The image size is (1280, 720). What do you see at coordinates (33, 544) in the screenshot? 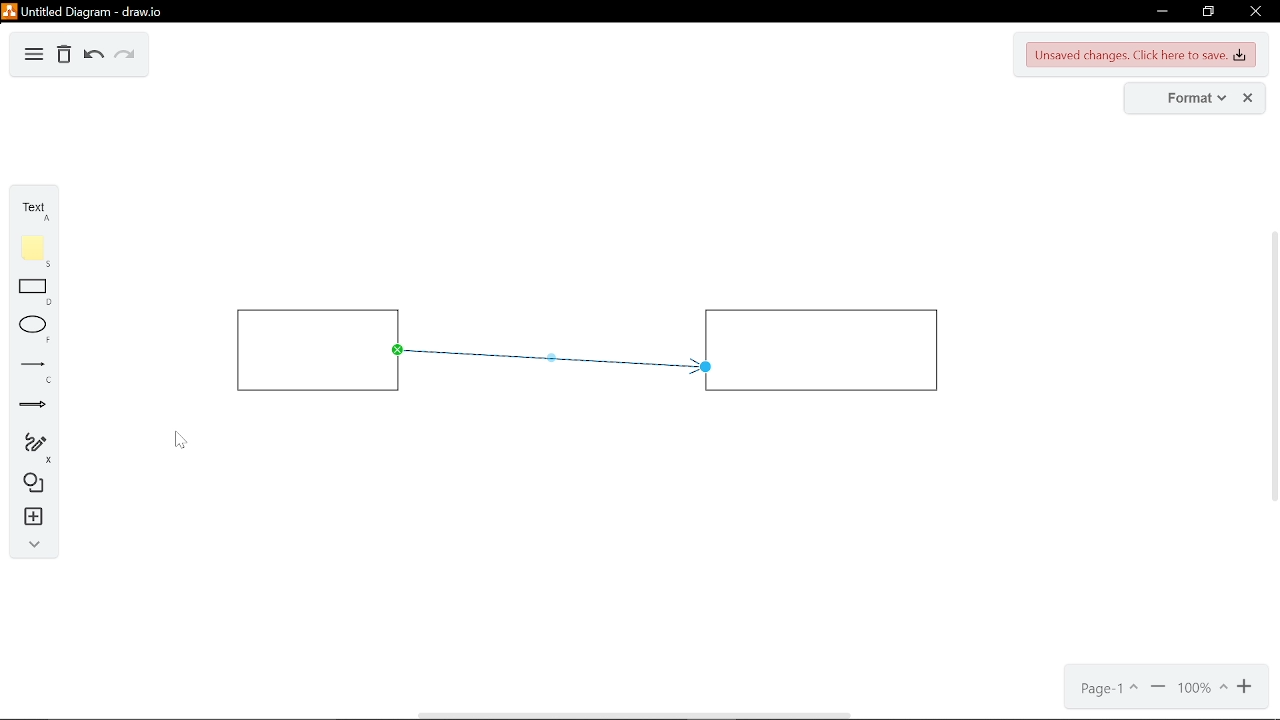
I see `collapse` at bounding box center [33, 544].